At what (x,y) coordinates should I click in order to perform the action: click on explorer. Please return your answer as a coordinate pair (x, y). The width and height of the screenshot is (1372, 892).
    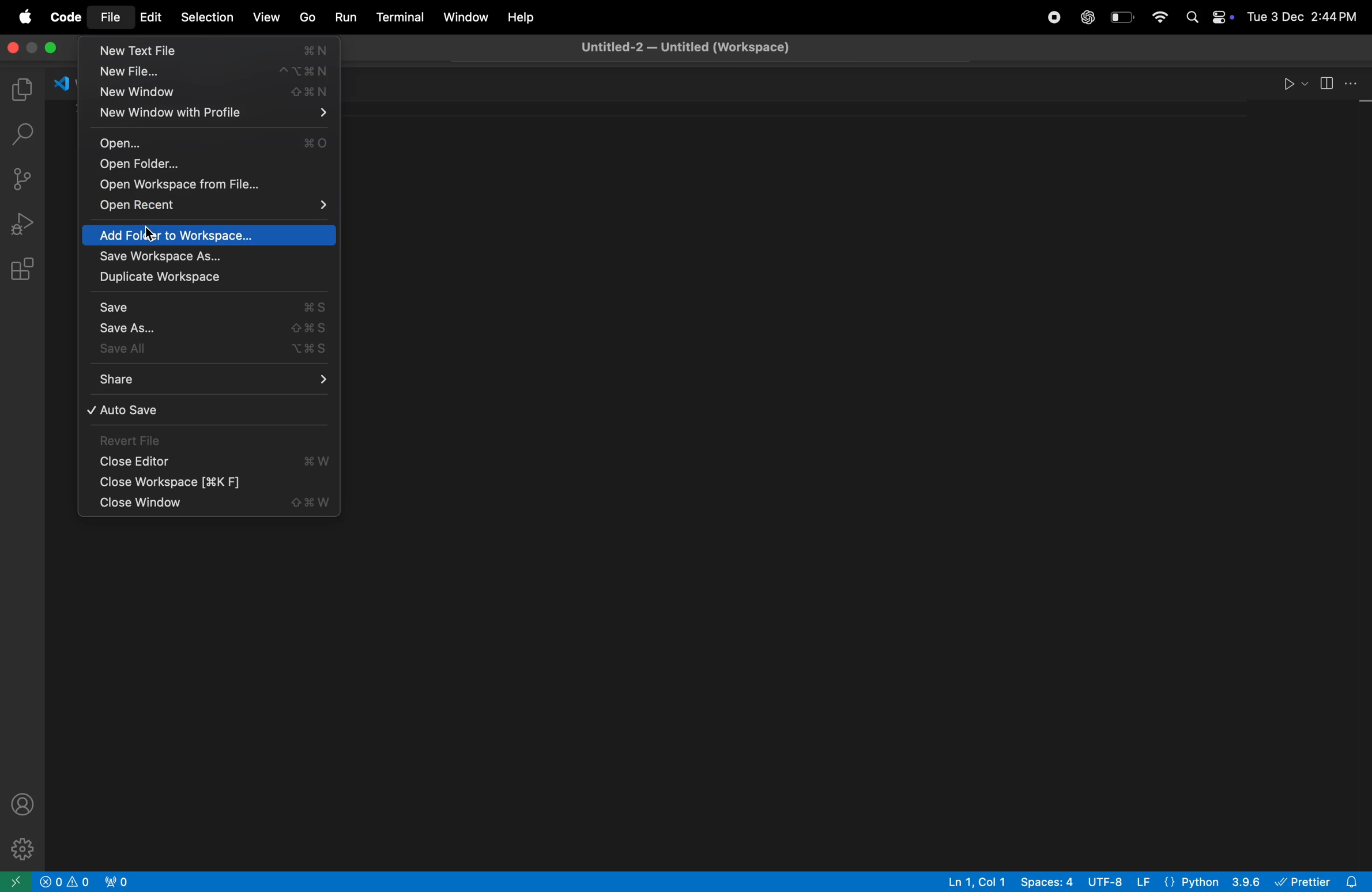
    Looking at the image, I should click on (24, 86).